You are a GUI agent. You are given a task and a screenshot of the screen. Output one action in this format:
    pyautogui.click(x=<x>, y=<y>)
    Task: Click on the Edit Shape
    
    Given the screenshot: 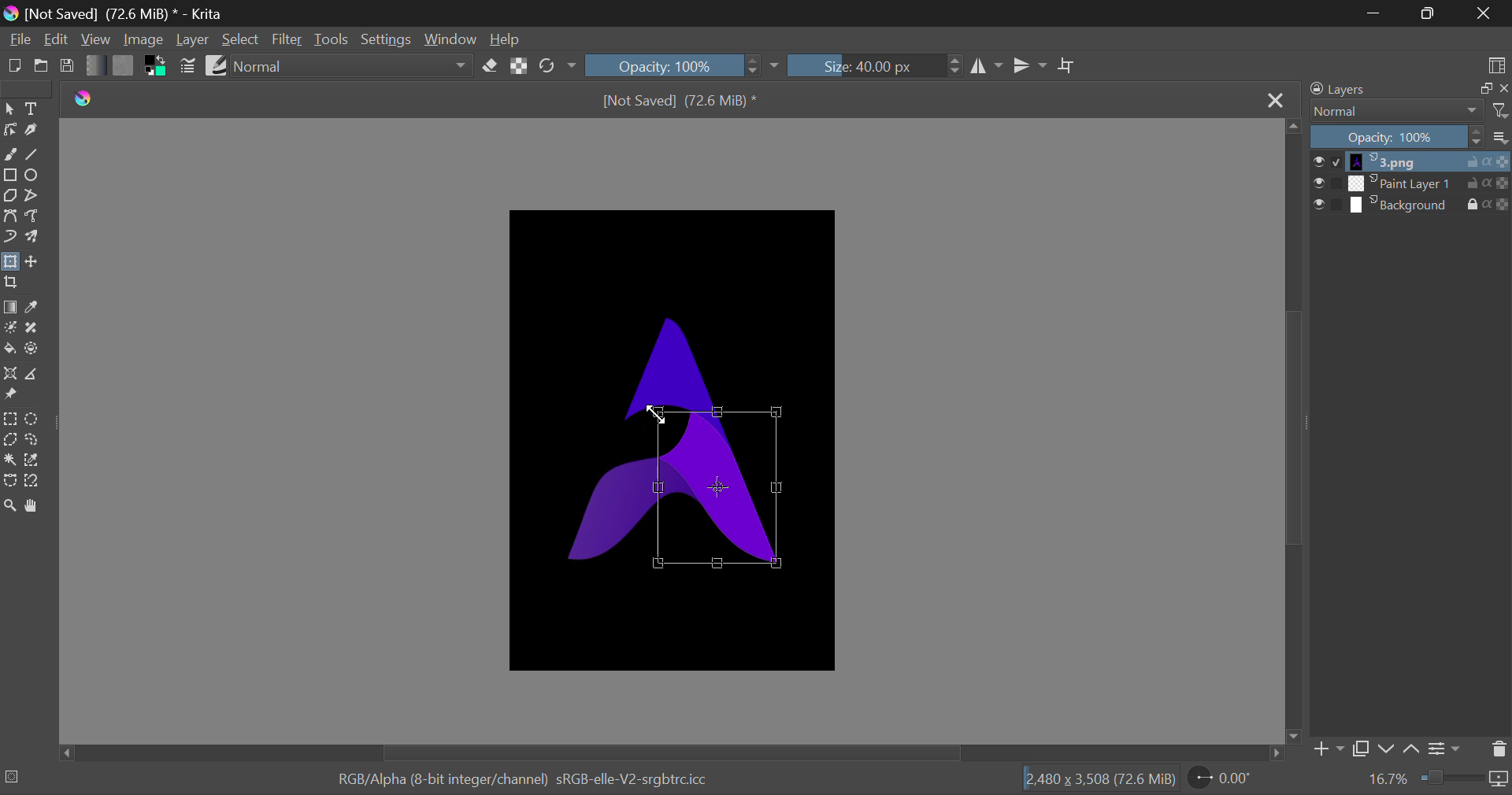 What is the action you would take?
    pyautogui.click(x=10, y=130)
    